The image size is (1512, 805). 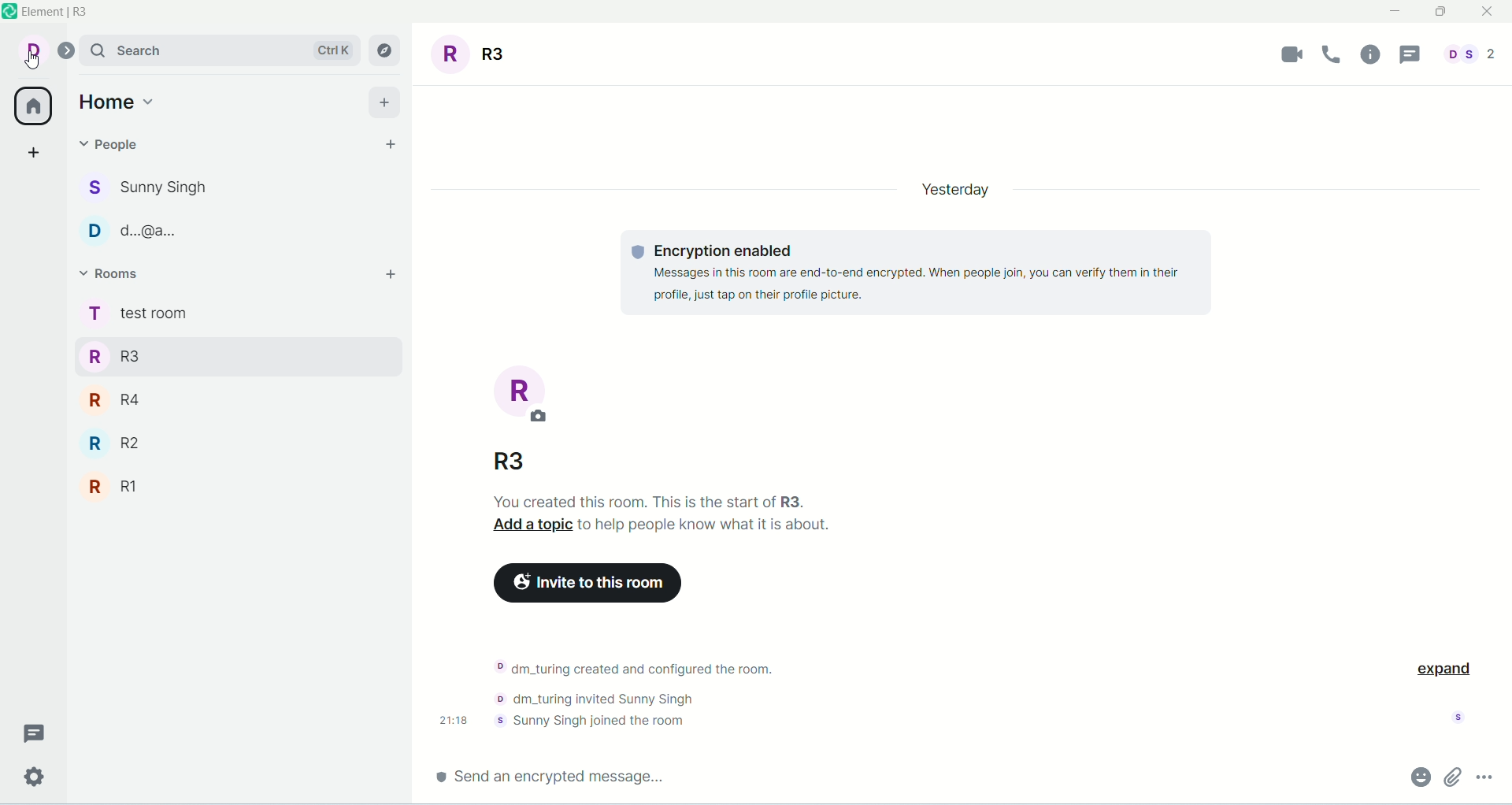 What do you see at coordinates (31, 63) in the screenshot?
I see `cursor` at bounding box center [31, 63].